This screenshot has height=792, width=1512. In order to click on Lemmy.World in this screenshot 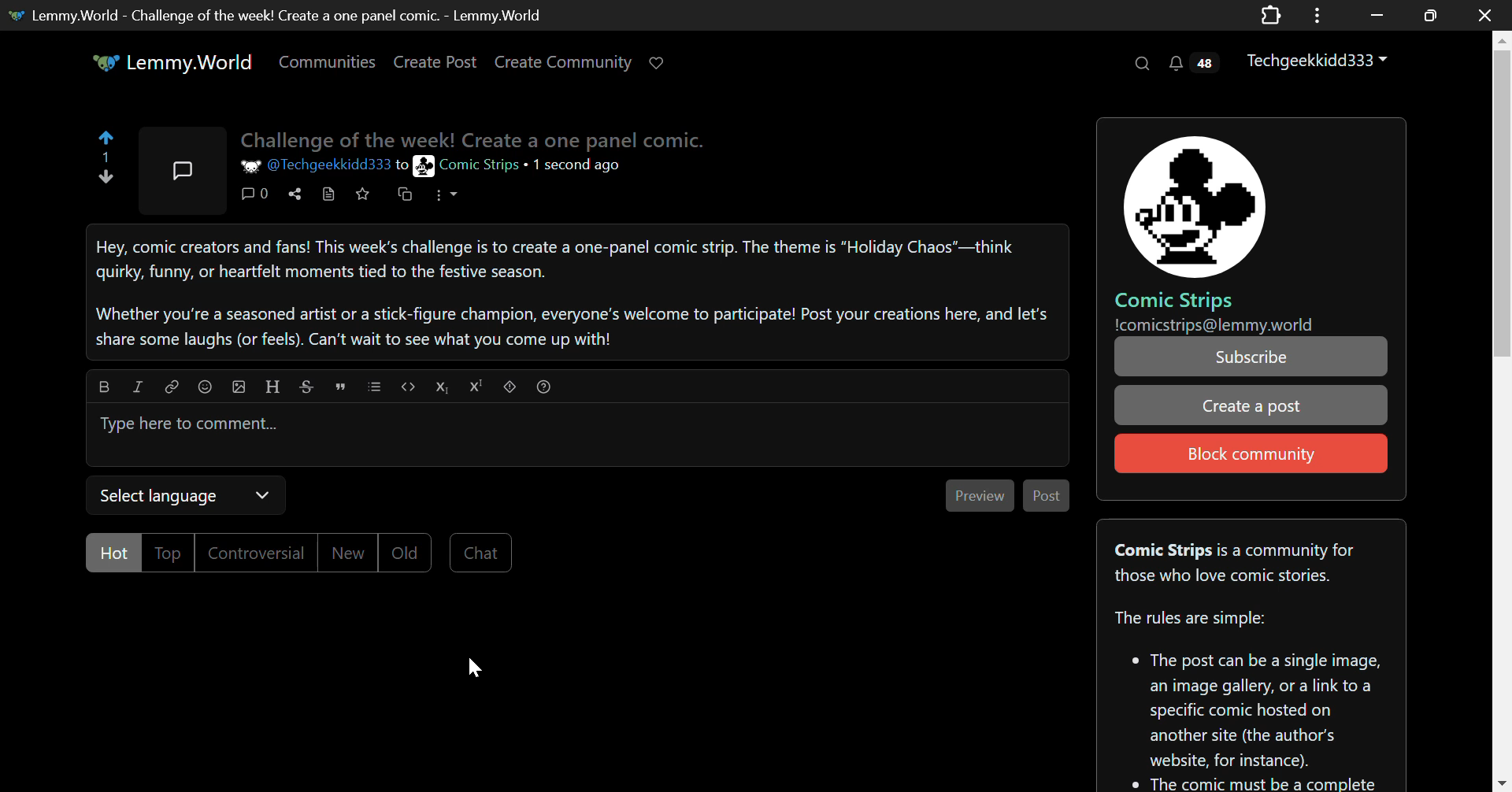, I will do `click(172, 65)`.